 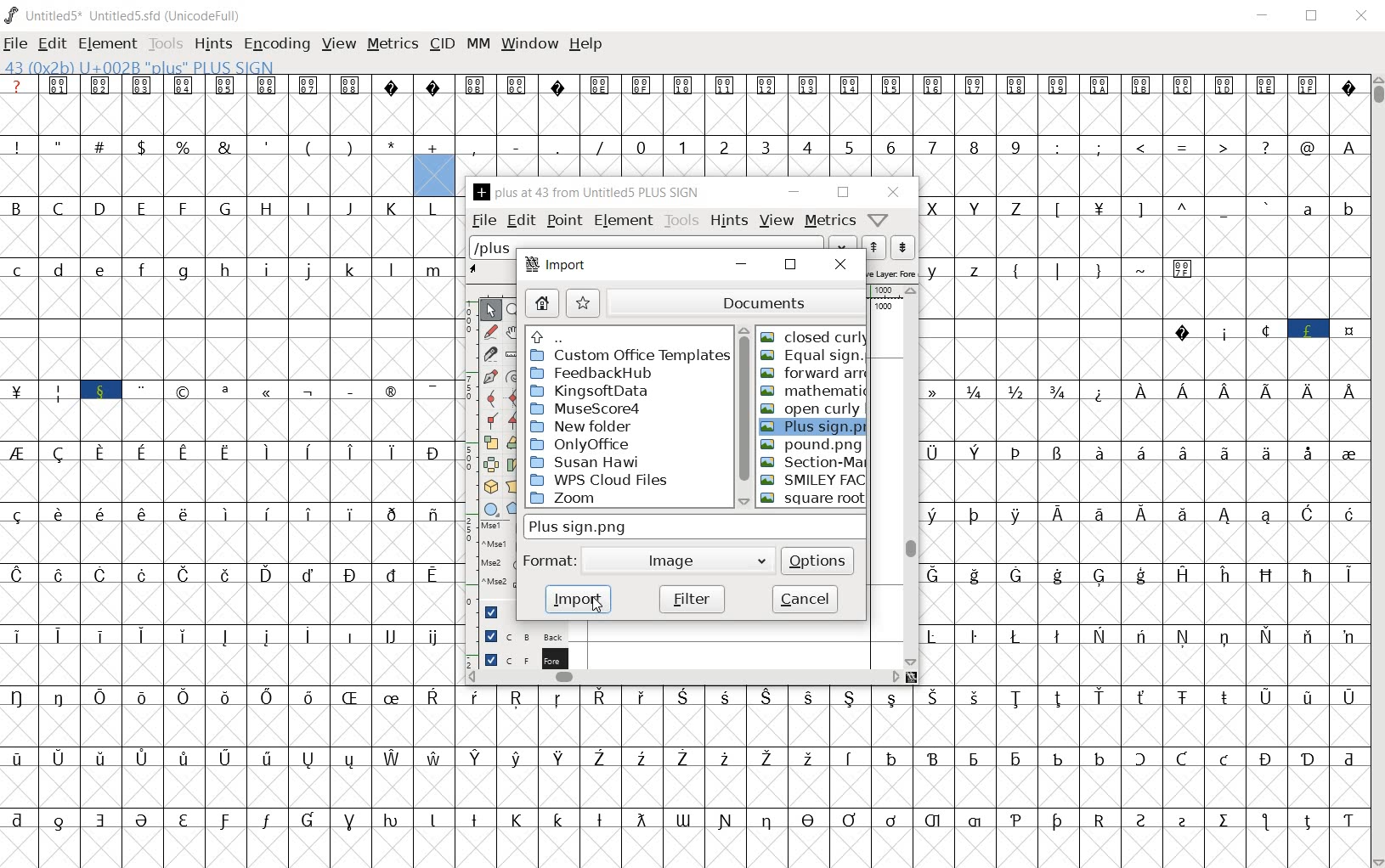 I want to click on ado de Lo LL 3 Lf LB LA, so click(x=1201, y=166).